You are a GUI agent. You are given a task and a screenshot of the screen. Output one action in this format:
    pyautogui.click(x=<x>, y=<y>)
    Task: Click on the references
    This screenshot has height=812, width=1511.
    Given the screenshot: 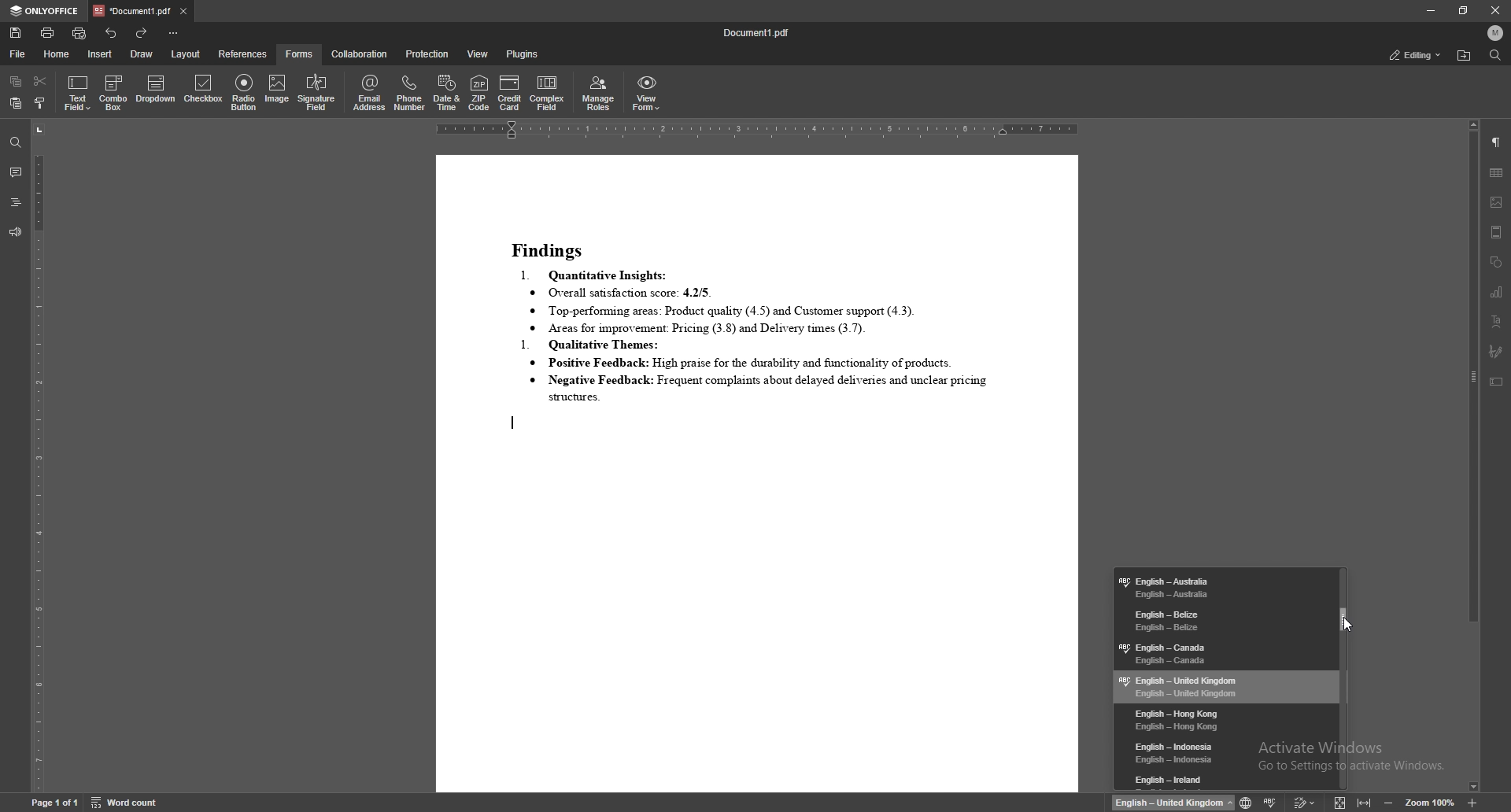 What is the action you would take?
    pyautogui.click(x=244, y=54)
    